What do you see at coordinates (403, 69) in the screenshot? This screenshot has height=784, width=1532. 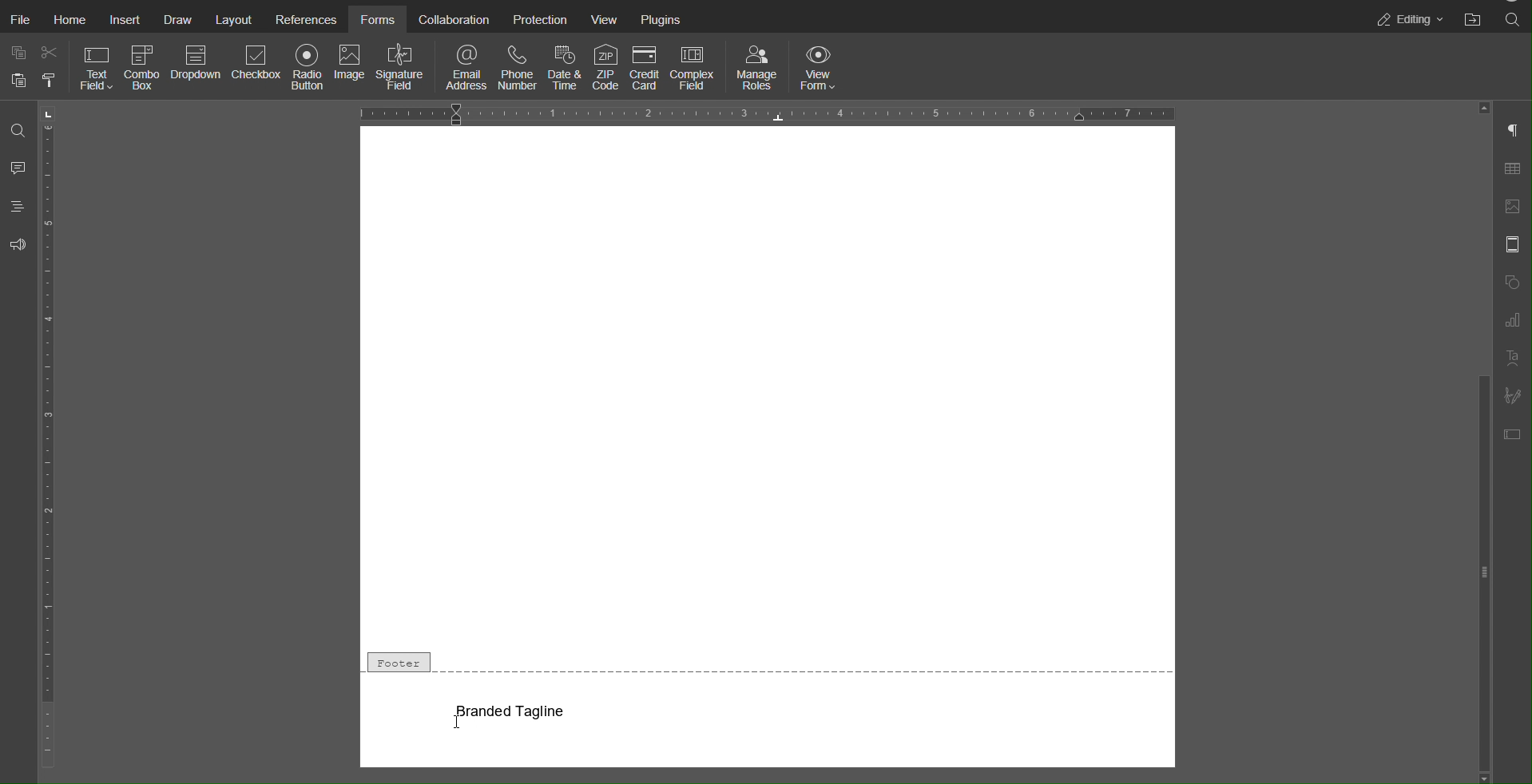 I see `Signature Field` at bounding box center [403, 69].